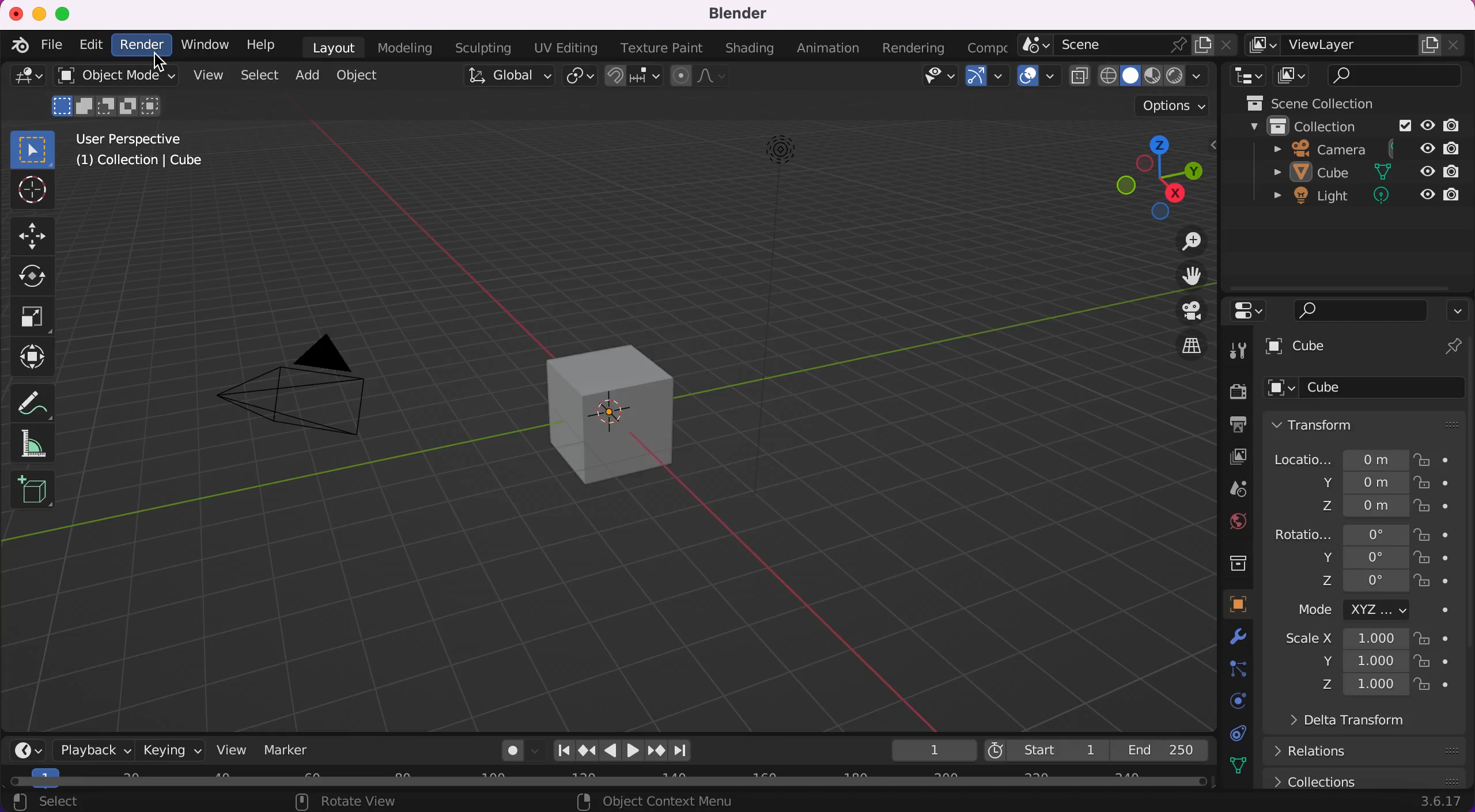 The image size is (1475, 812). What do you see at coordinates (256, 75) in the screenshot?
I see `select` at bounding box center [256, 75].